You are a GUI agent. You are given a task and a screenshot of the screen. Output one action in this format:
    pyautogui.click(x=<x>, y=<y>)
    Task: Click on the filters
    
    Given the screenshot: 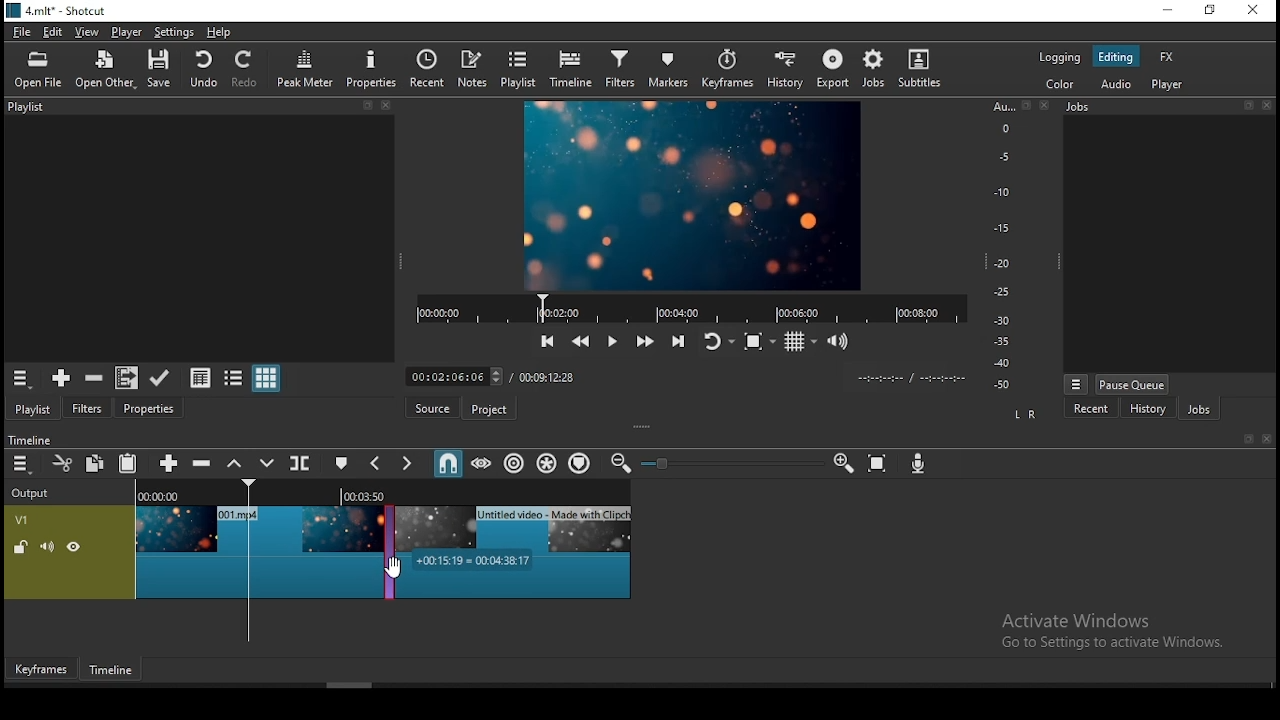 What is the action you would take?
    pyautogui.click(x=90, y=406)
    